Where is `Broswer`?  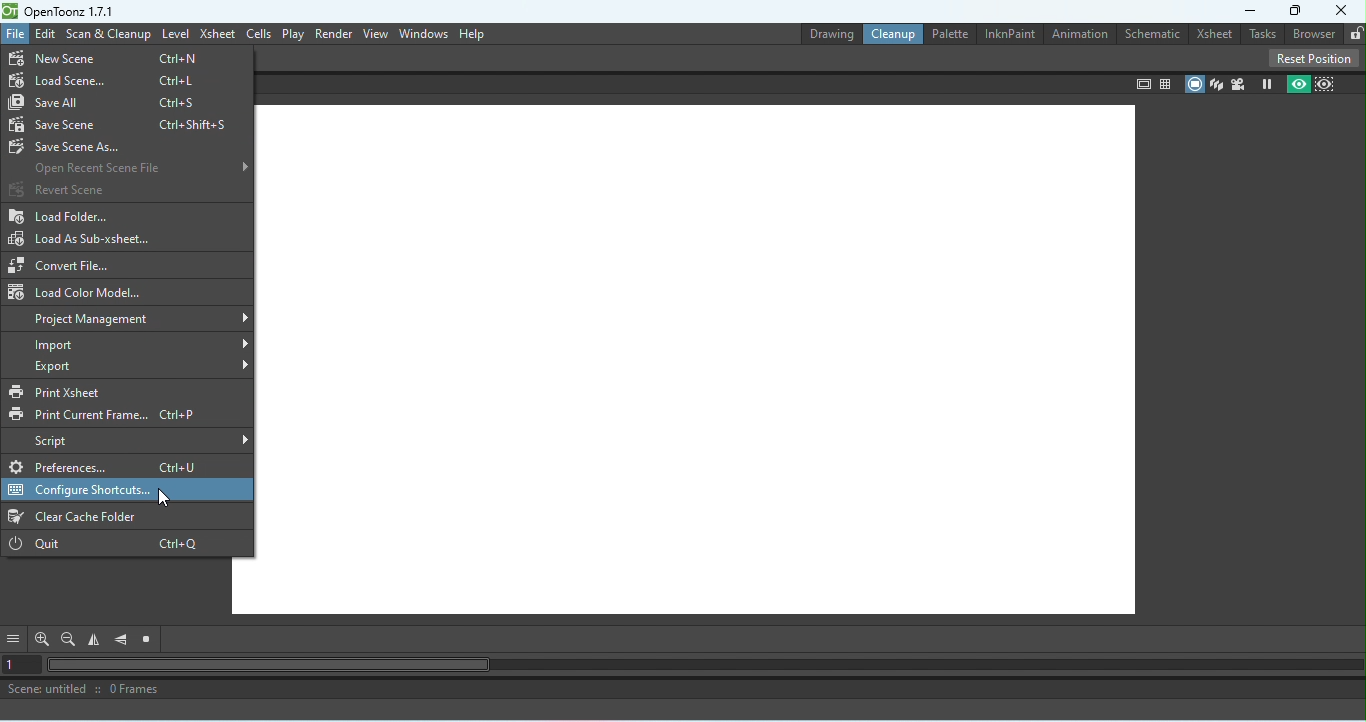 Broswer is located at coordinates (1315, 33).